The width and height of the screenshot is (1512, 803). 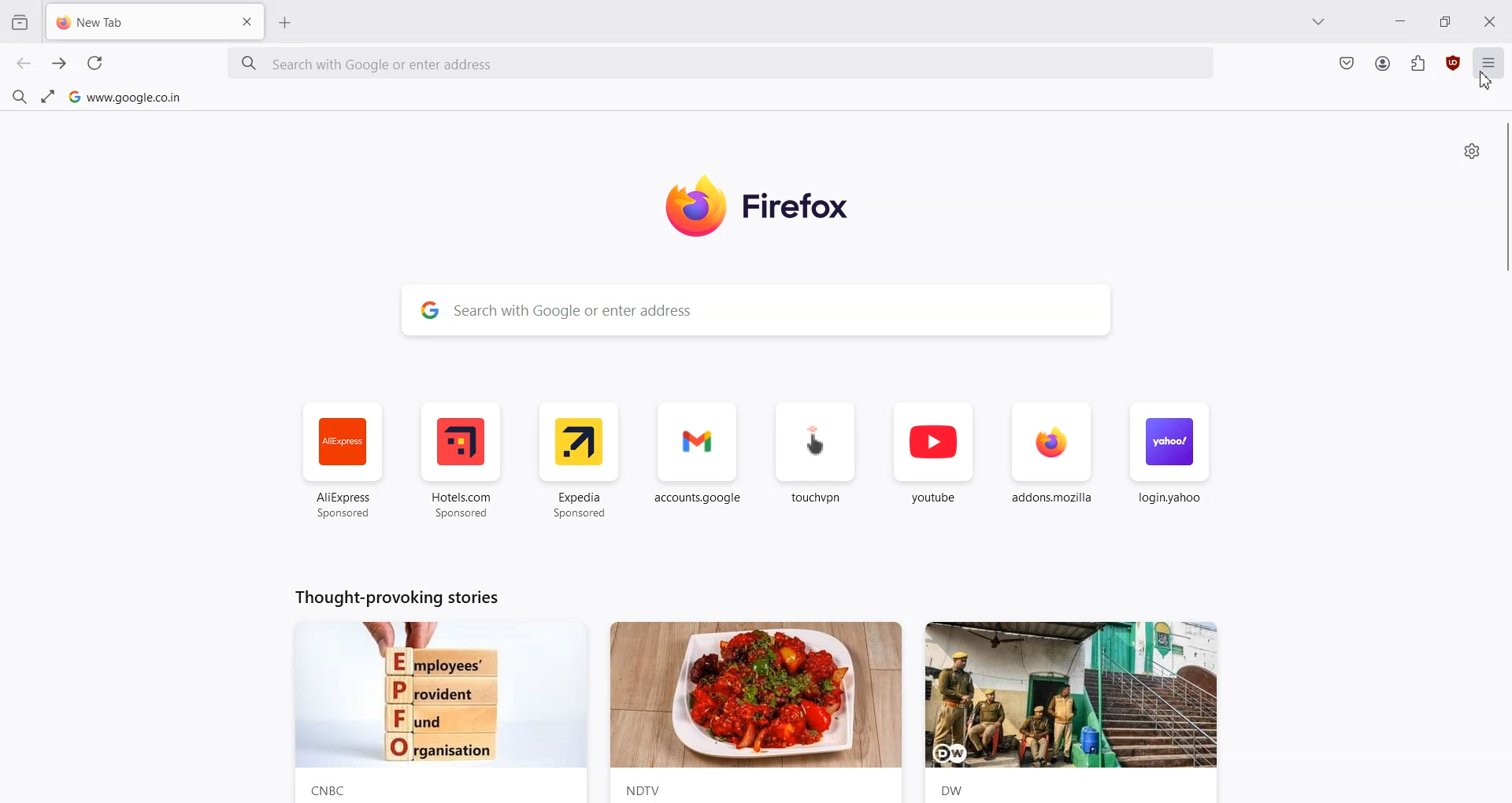 What do you see at coordinates (394, 596) in the screenshot?
I see `Text` at bounding box center [394, 596].